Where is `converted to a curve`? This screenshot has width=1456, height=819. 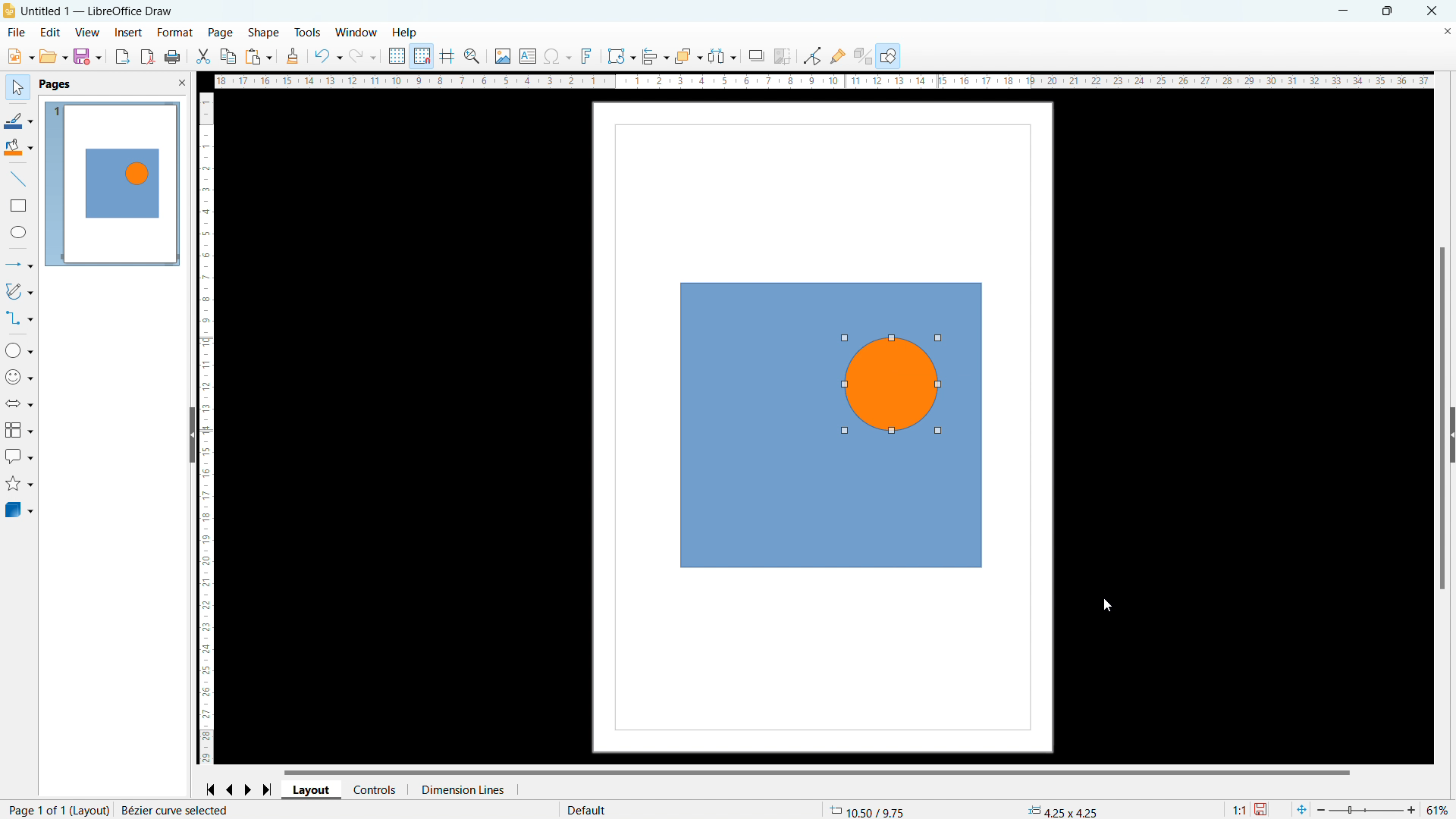
converted to a curve is located at coordinates (890, 385).